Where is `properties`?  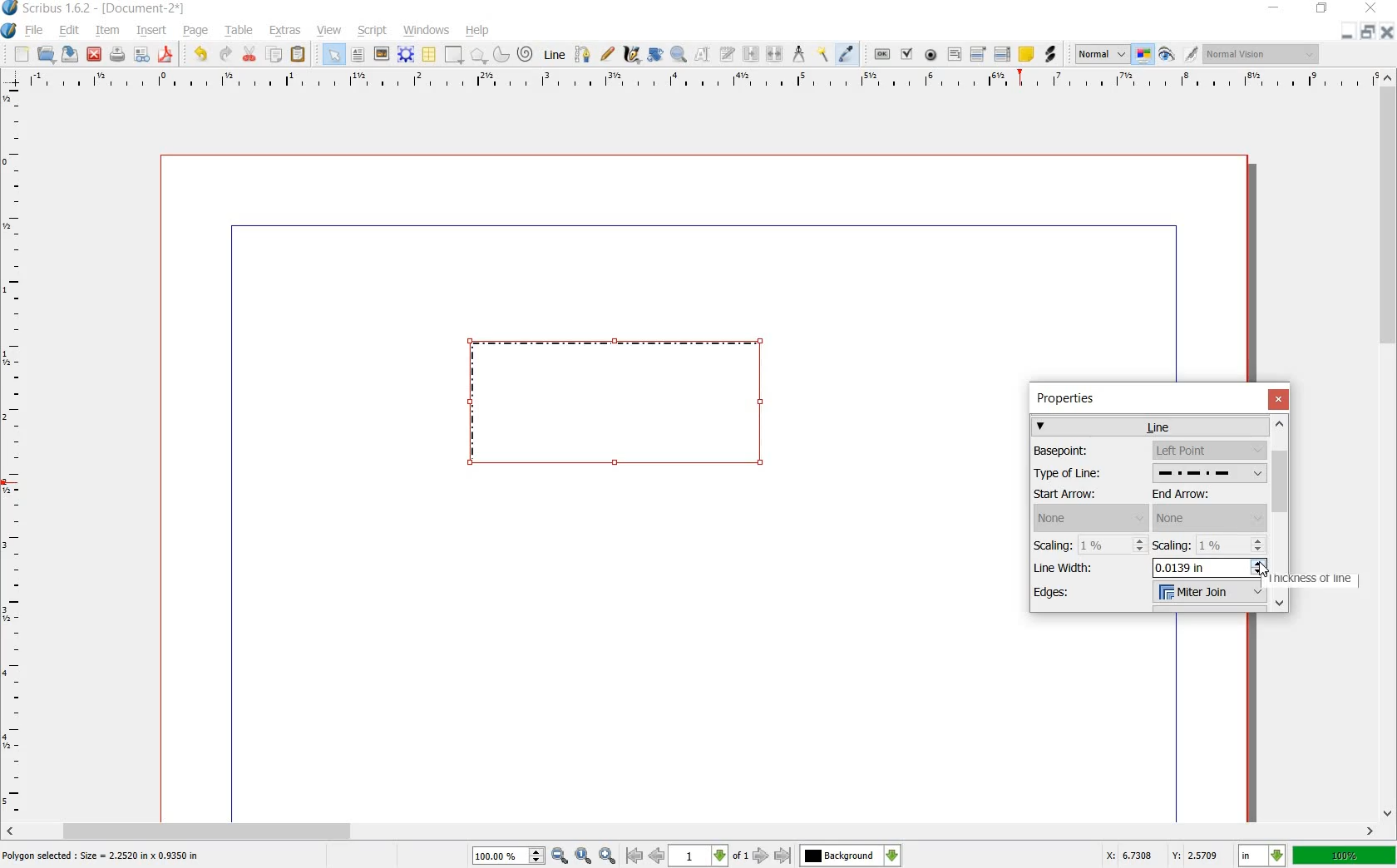
properties is located at coordinates (1073, 398).